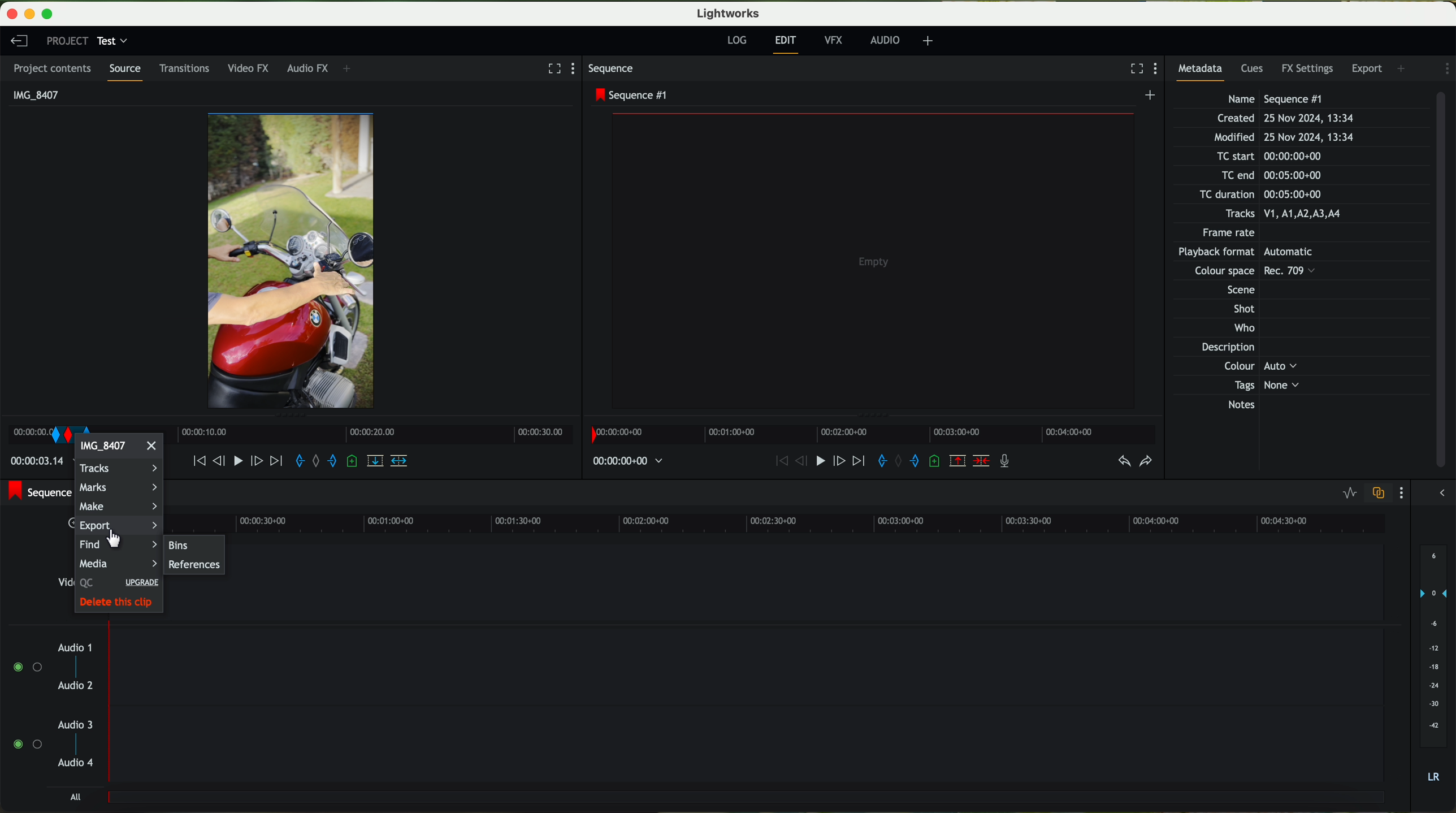 This screenshot has height=813, width=1456. Describe the element at coordinates (1254, 70) in the screenshot. I see `cues` at that location.